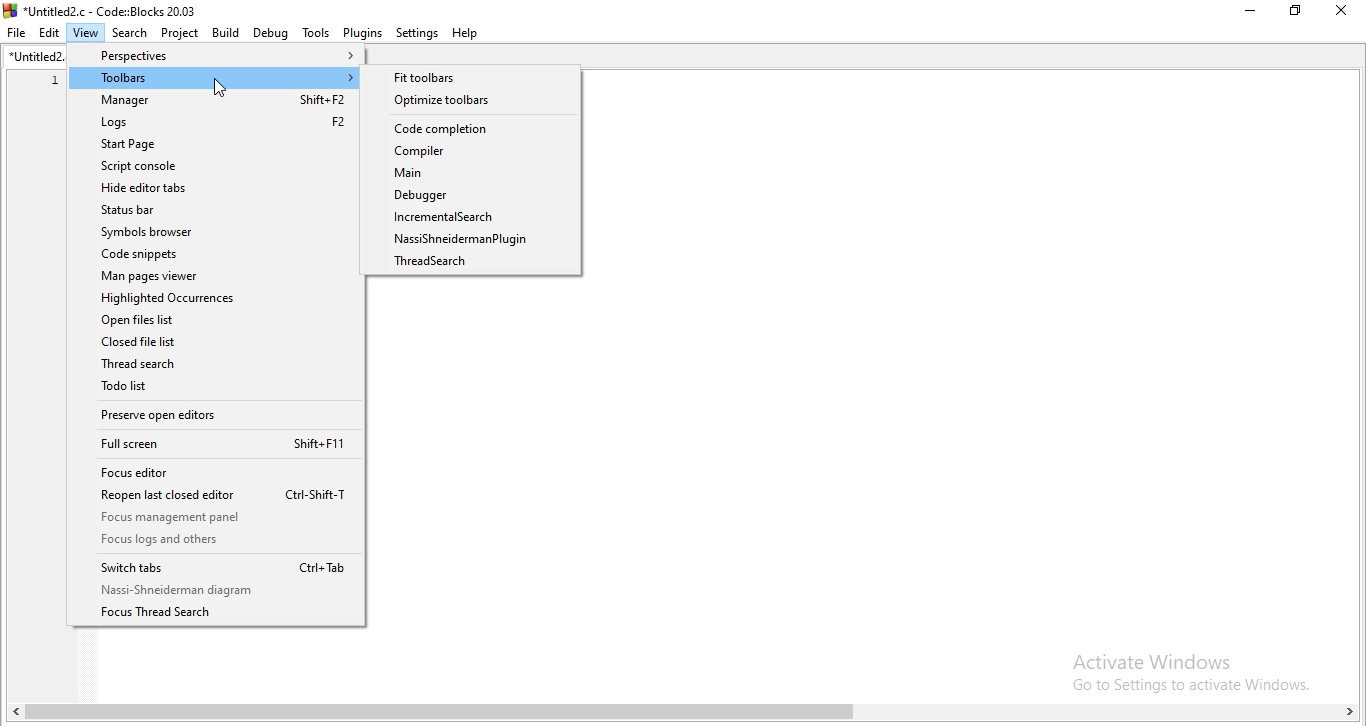 The width and height of the screenshot is (1366, 726). I want to click on line number, so click(54, 166).